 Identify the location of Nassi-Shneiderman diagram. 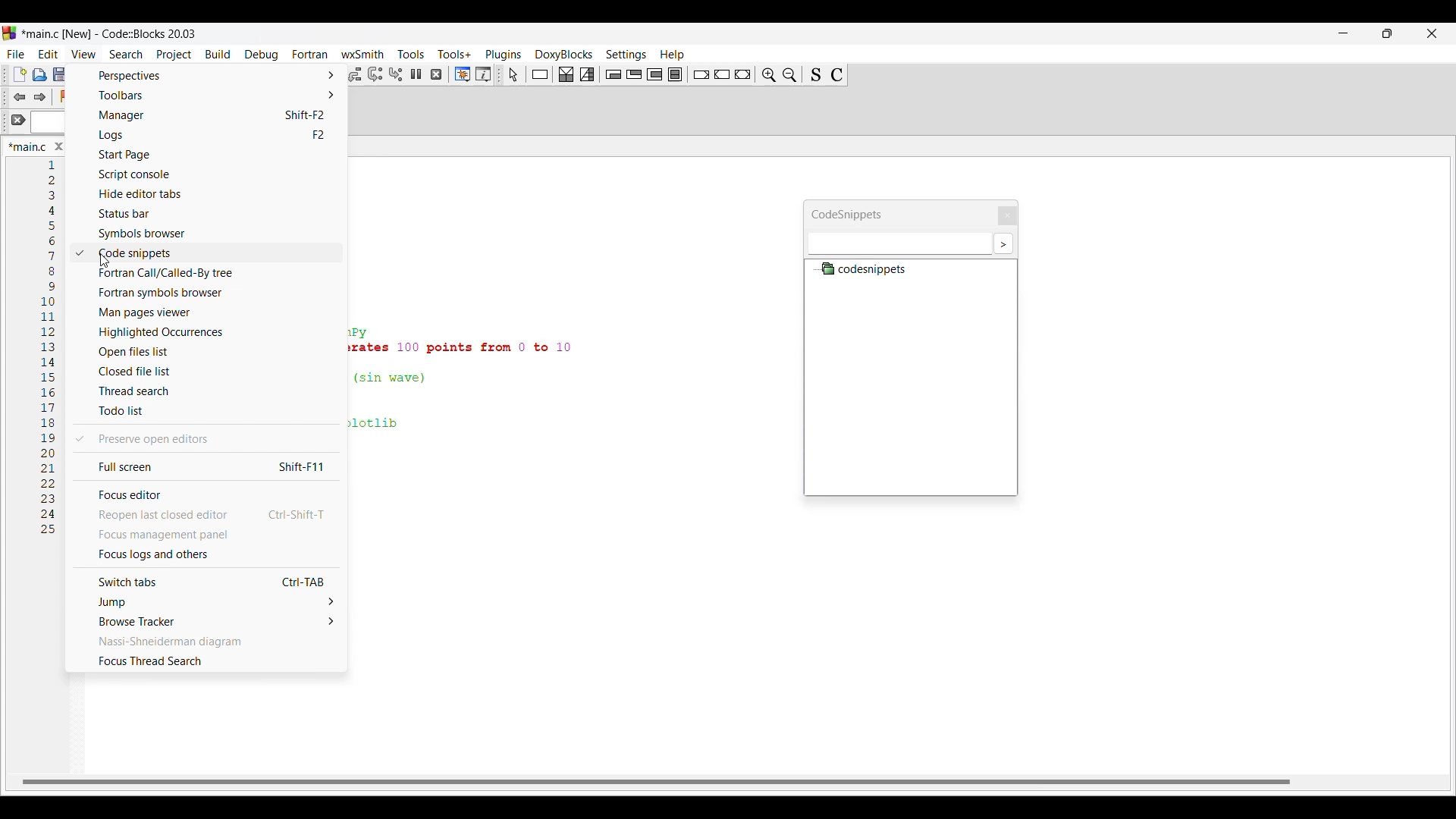
(206, 642).